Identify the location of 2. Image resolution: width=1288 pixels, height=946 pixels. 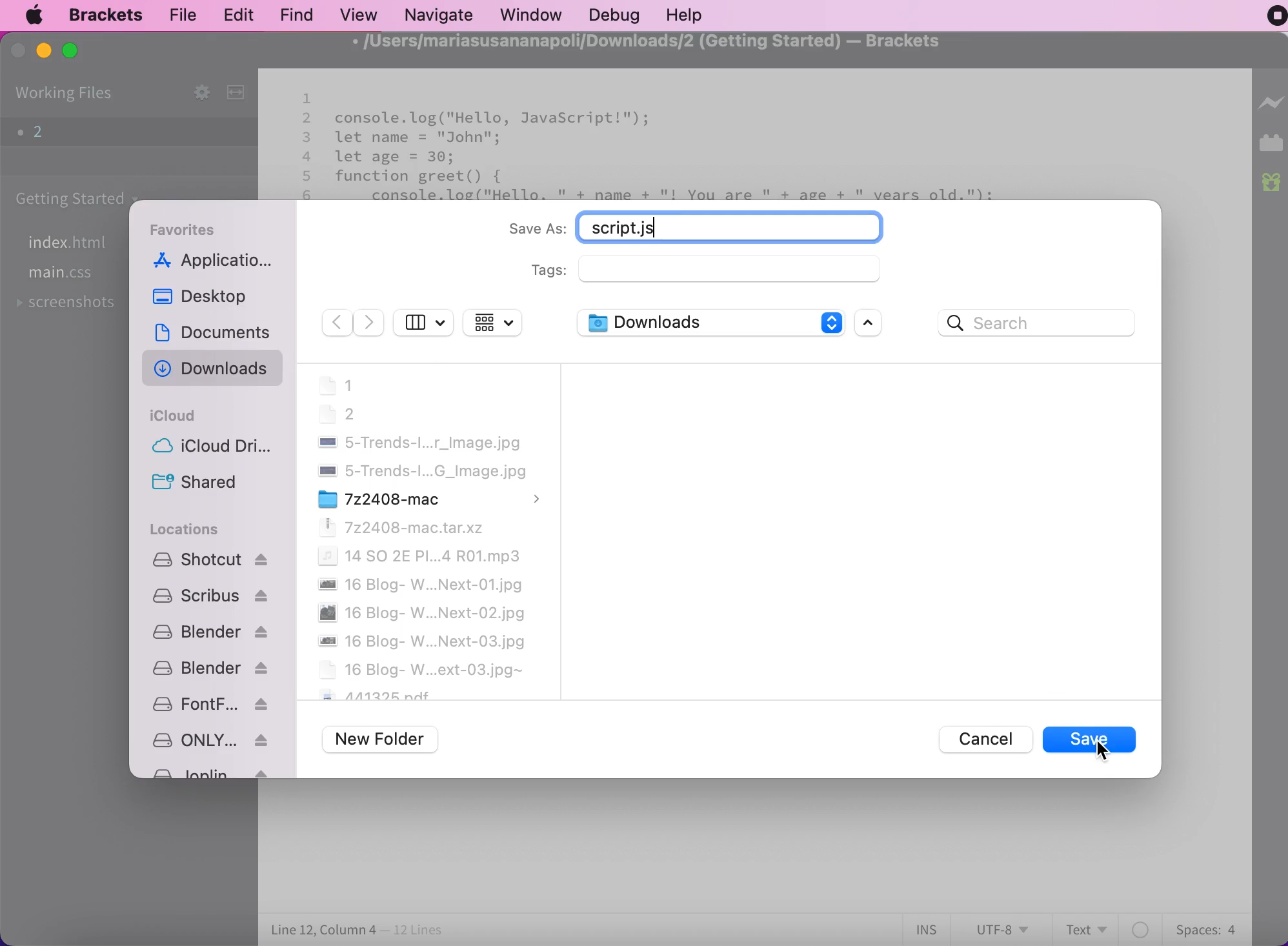
(110, 132).